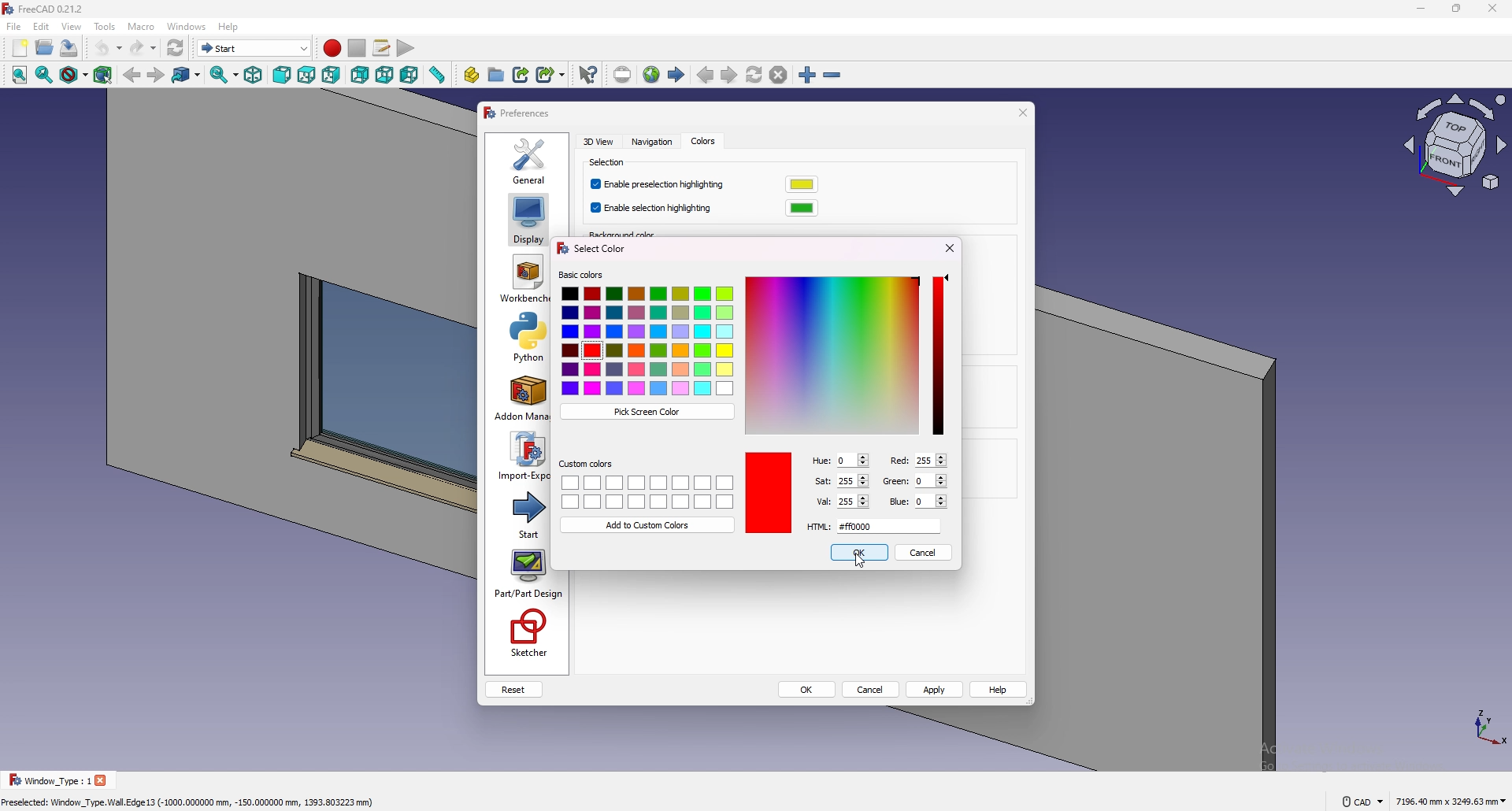 This screenshot has width=1512, height=811. I want to click on bounding box, so click(104, 75).